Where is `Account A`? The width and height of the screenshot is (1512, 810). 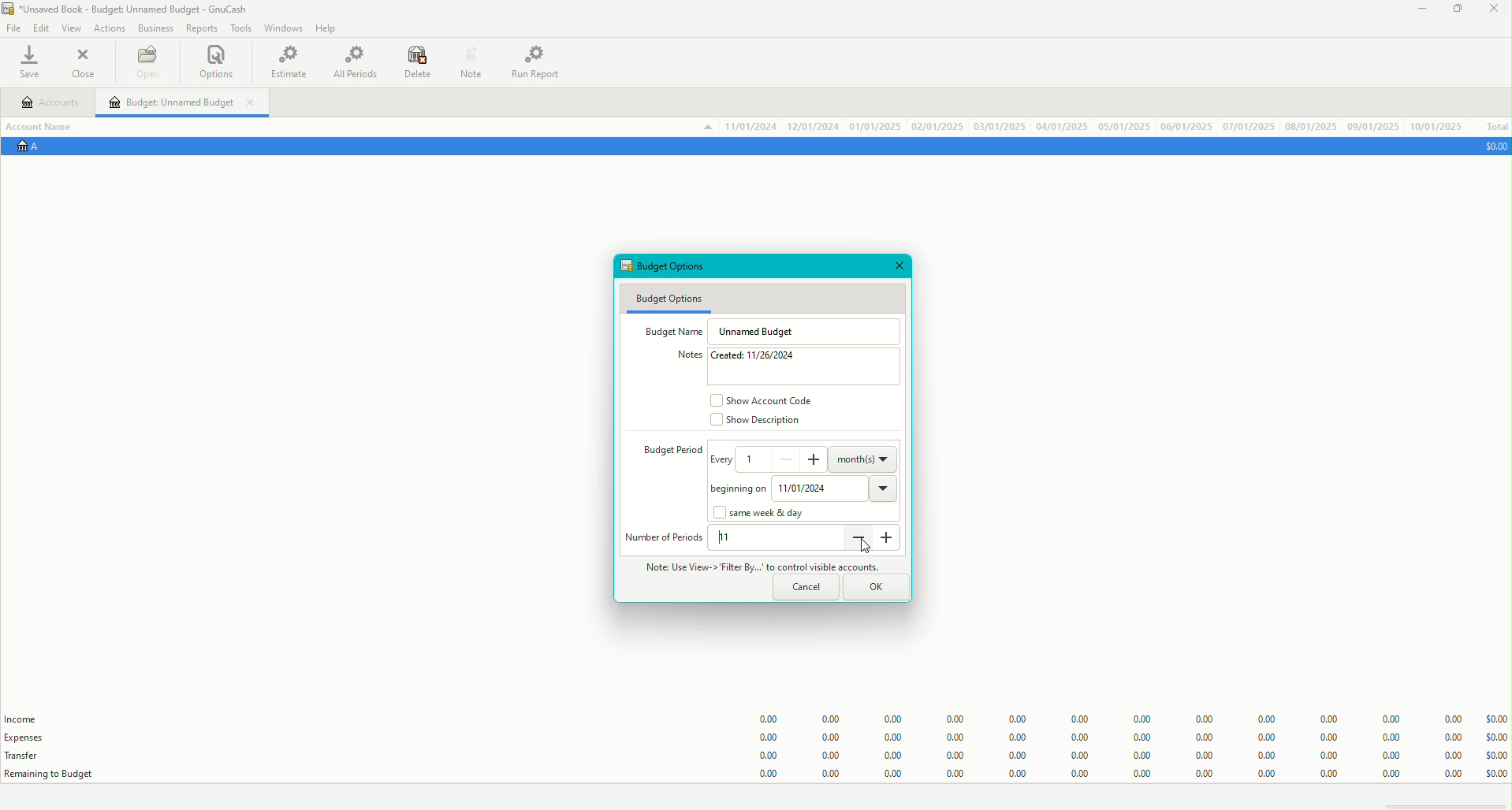 Account A is located at coordinates (35, 148).